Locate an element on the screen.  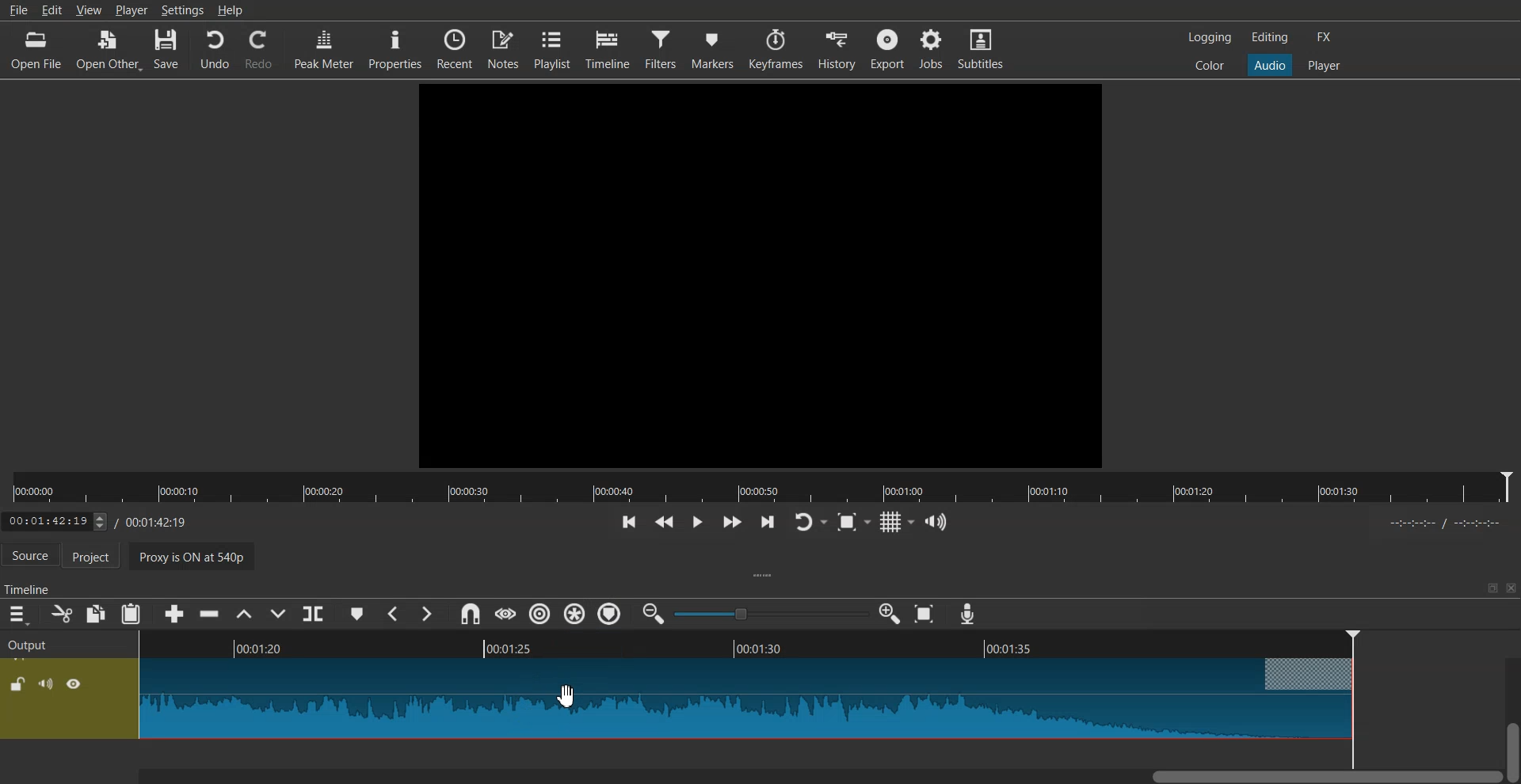
Drag Handle is located at coordinates (765, 577).